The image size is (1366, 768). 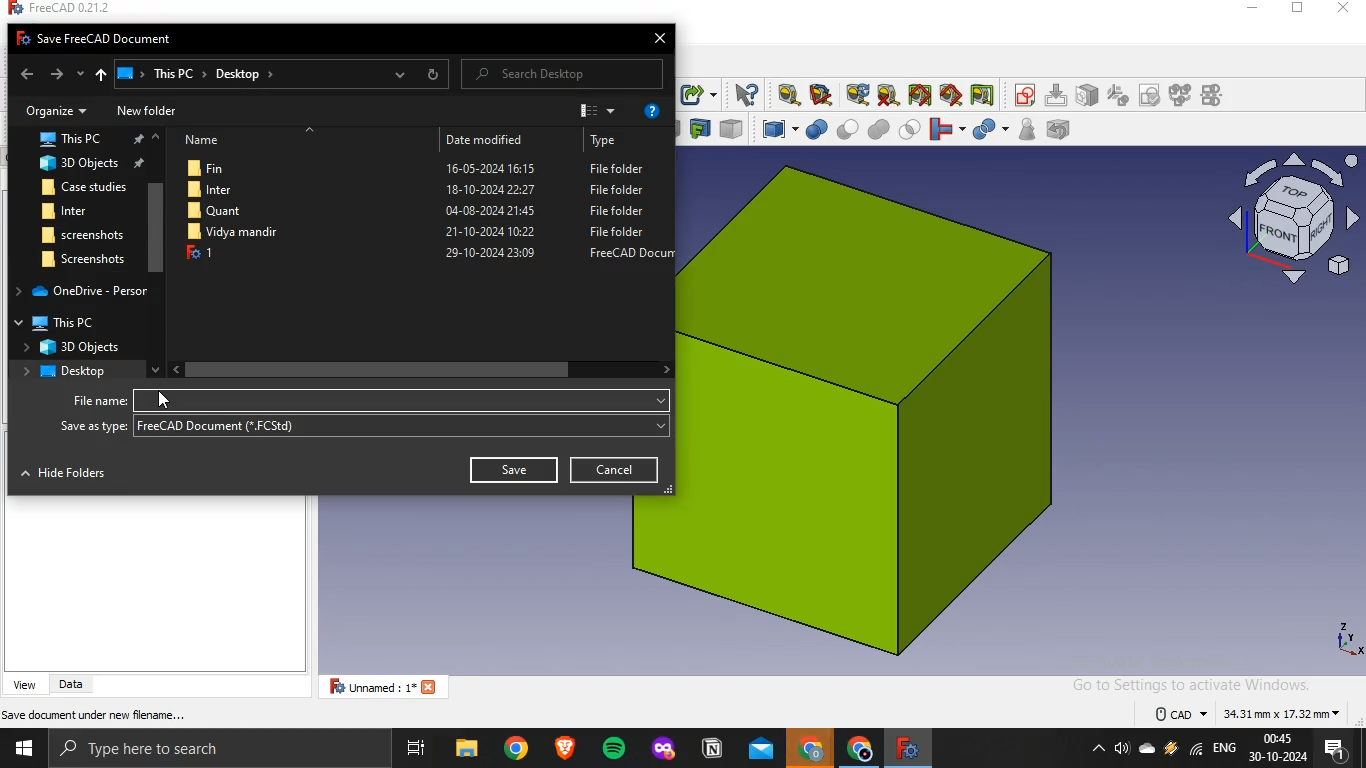 I want to click on toggle all, so click(x=919, y=95).